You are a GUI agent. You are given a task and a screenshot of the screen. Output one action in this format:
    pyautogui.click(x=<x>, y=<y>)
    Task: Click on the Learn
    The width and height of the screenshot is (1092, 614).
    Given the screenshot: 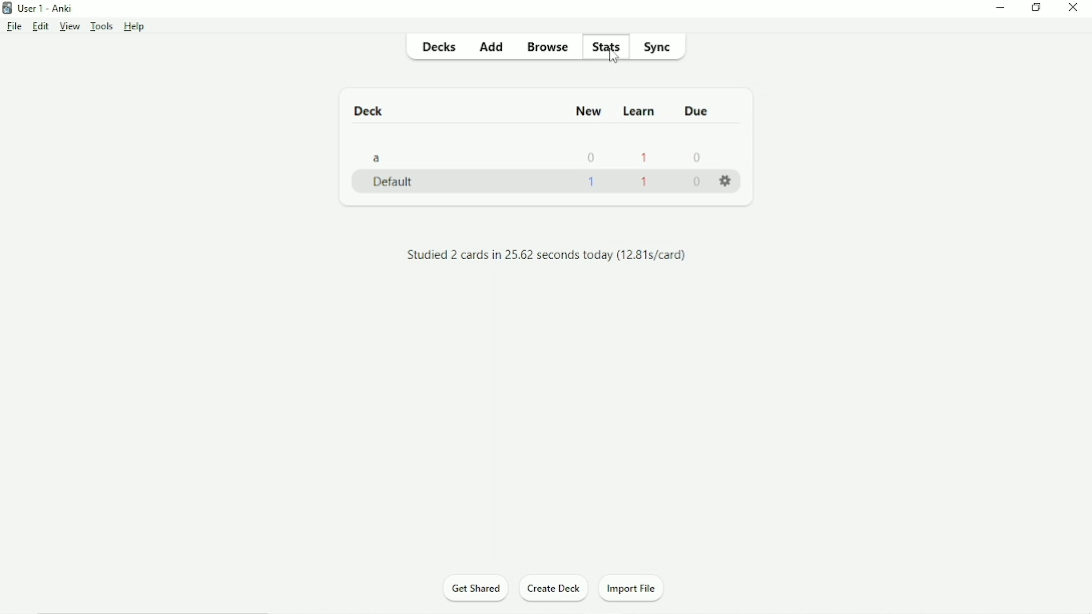 What is the action you would take?
    pyautogui.click(x=637, y=111)
    